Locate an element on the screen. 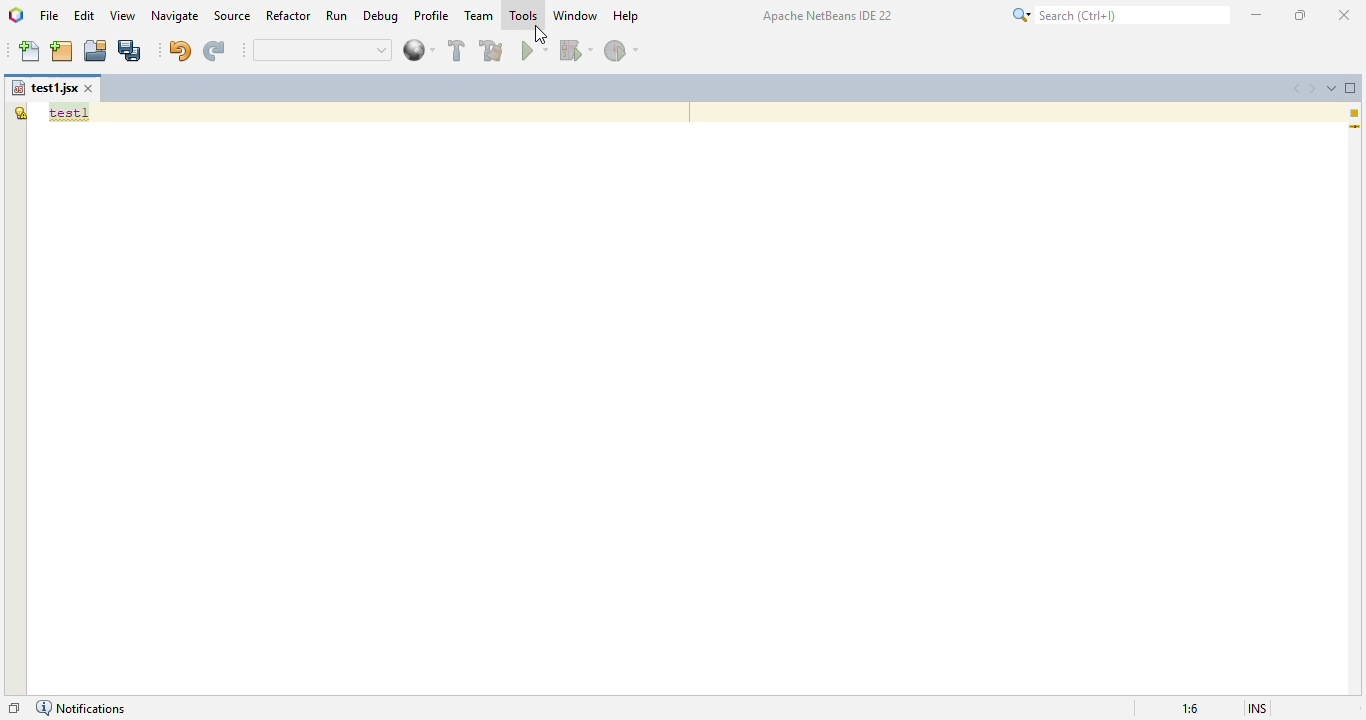  run is located at coordinates (337, 16).